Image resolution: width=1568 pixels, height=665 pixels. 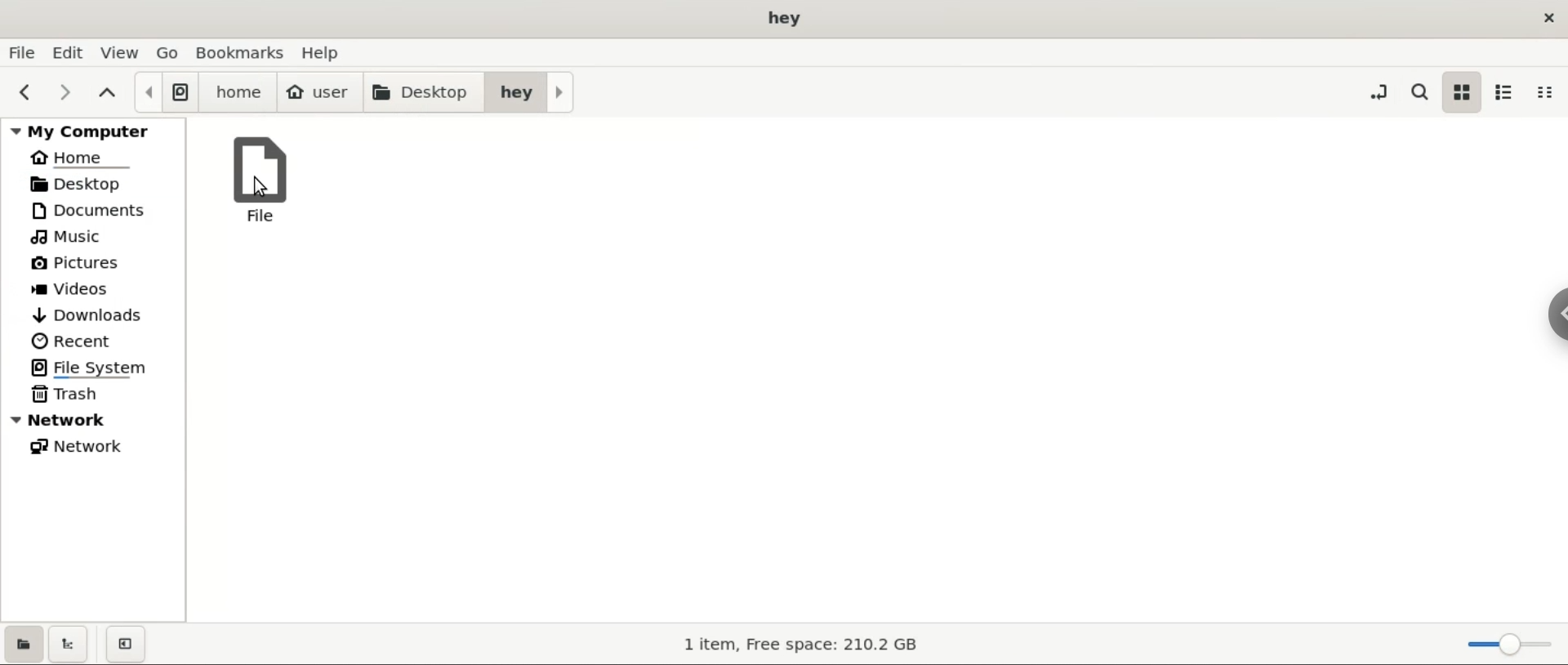 What do you see at coordinates (126, 645) in the screenshot?
I see `close sidebar` at bounding box center [126, 645].